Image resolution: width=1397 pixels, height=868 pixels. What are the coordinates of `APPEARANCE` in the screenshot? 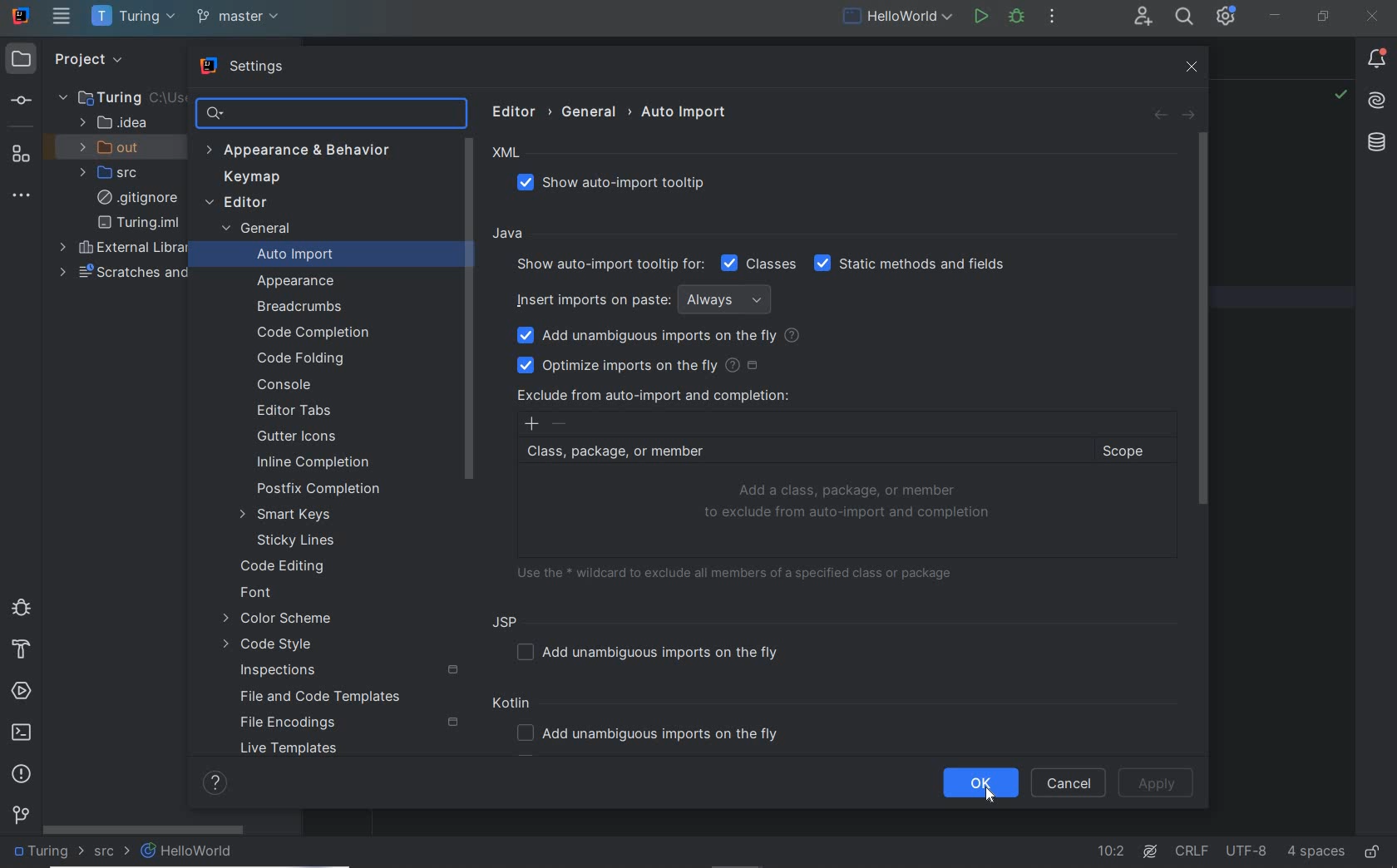 It's located at (297, 282).